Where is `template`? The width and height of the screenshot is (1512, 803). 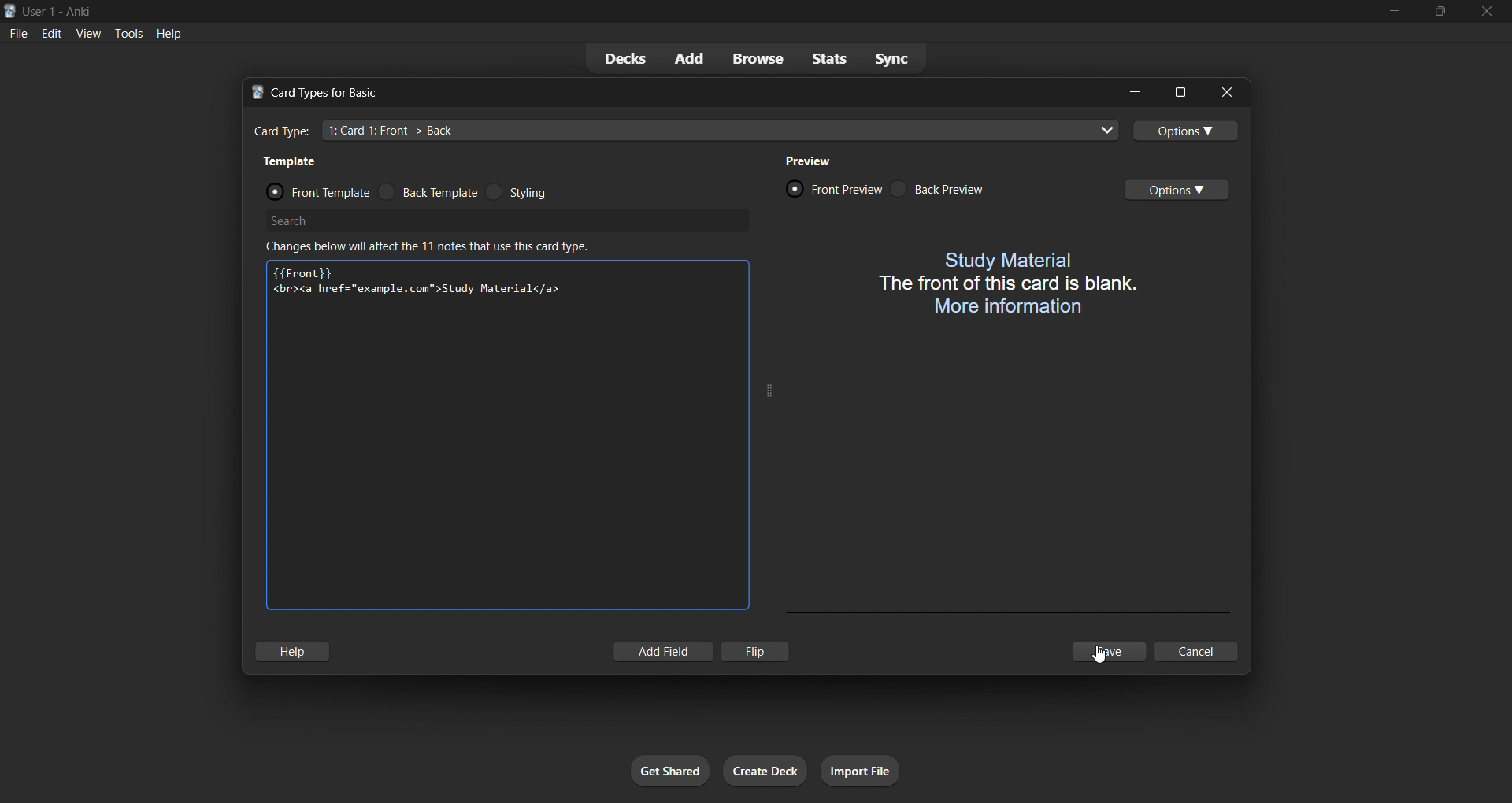 template is located at coordinates (295, 160).